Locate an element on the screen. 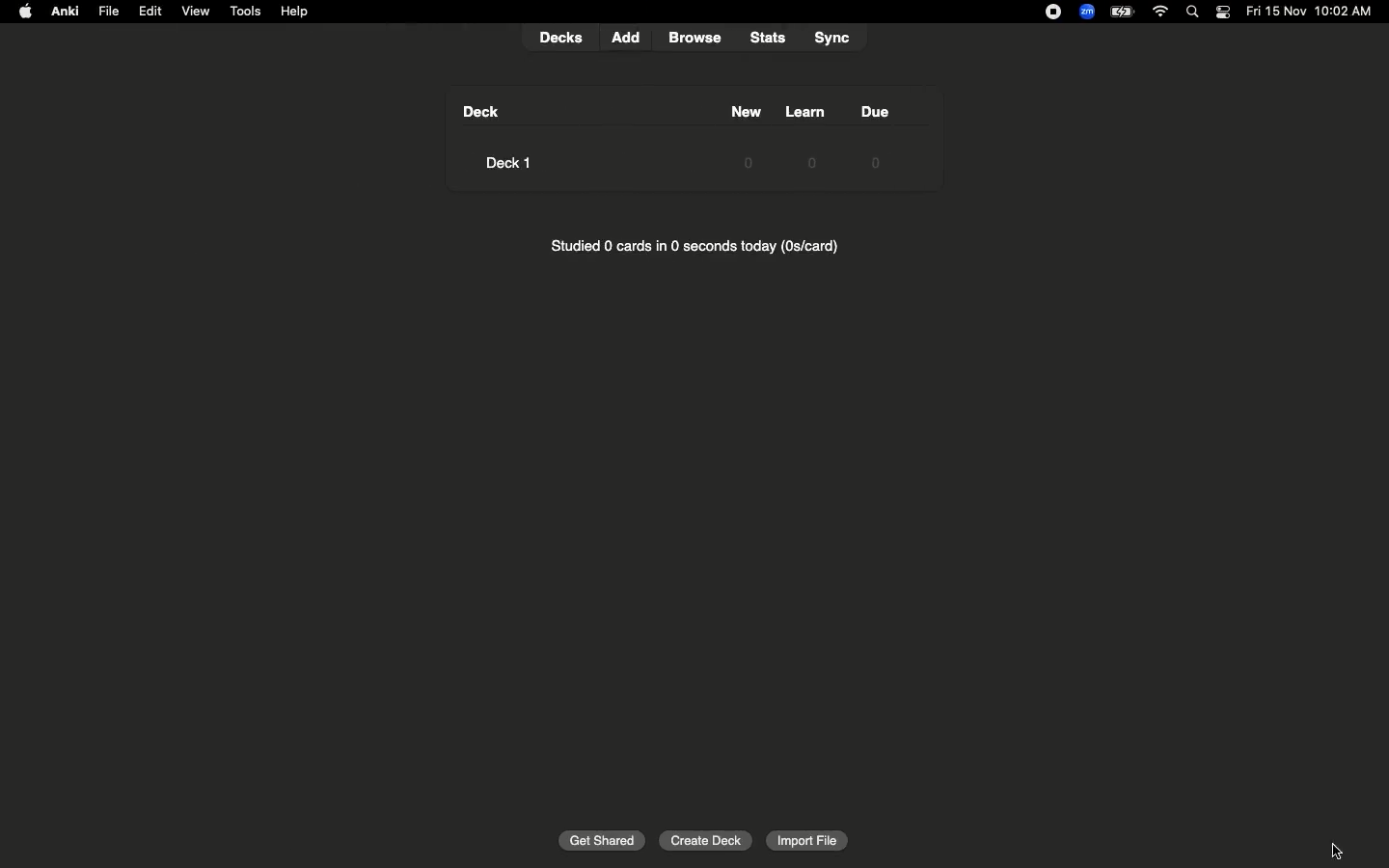  Anki is located at coordinates (64, 13).